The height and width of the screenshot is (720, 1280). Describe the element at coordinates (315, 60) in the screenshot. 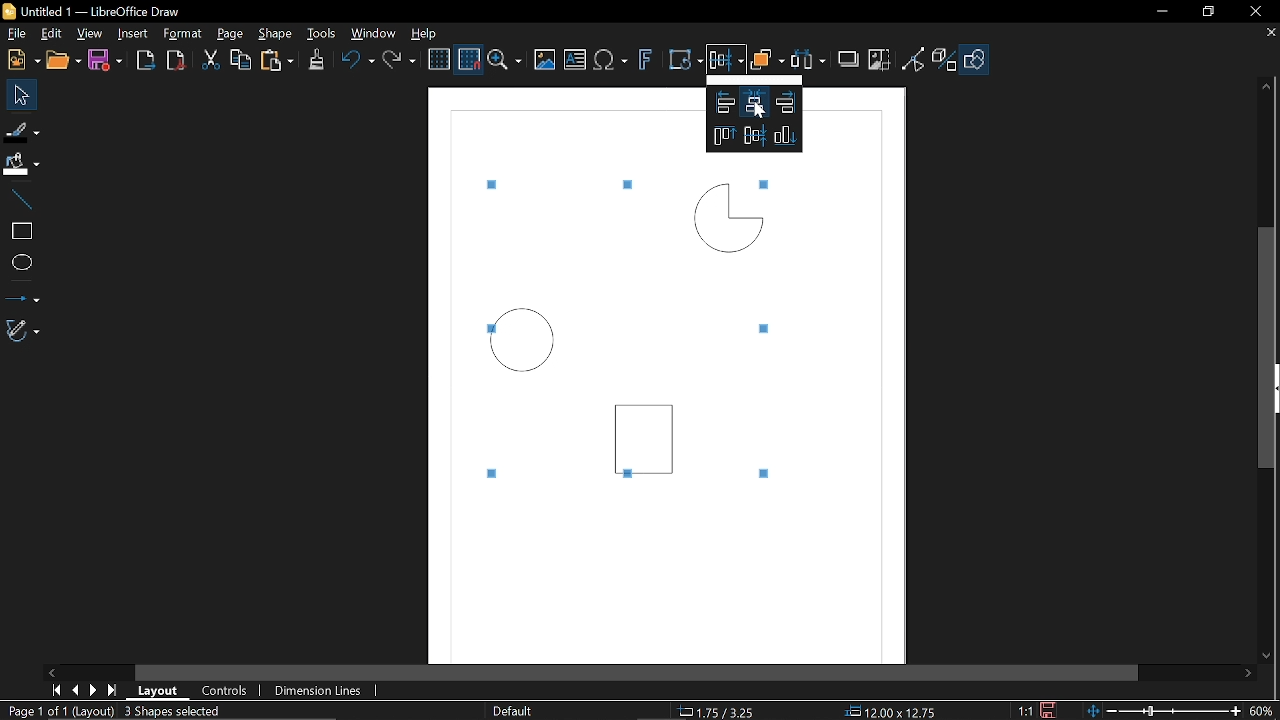

I see `Clone` at that location.